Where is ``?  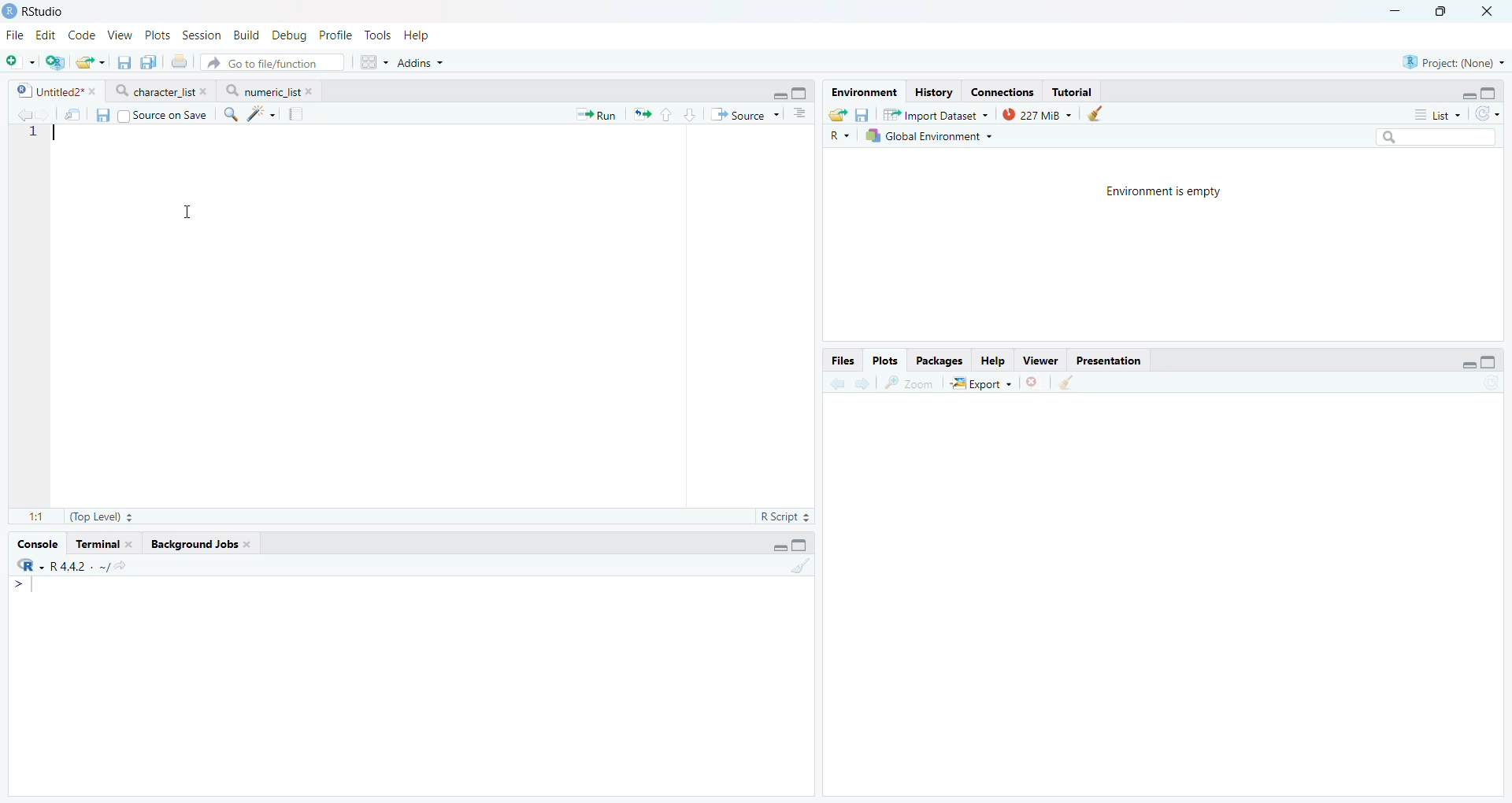  is located at coordinates (993, 360).